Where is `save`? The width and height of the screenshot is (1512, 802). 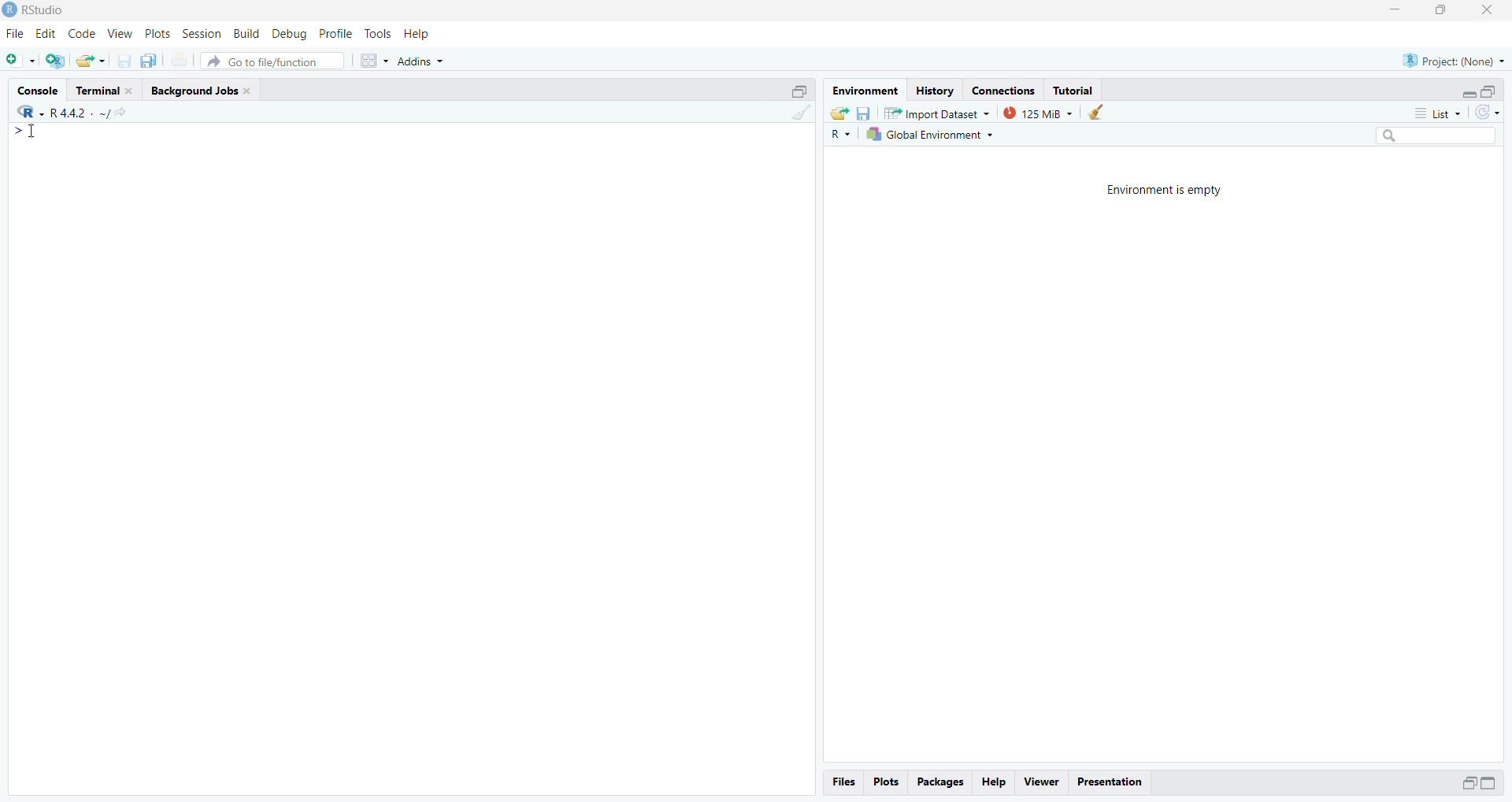
save is located at coordinates (862, 112).